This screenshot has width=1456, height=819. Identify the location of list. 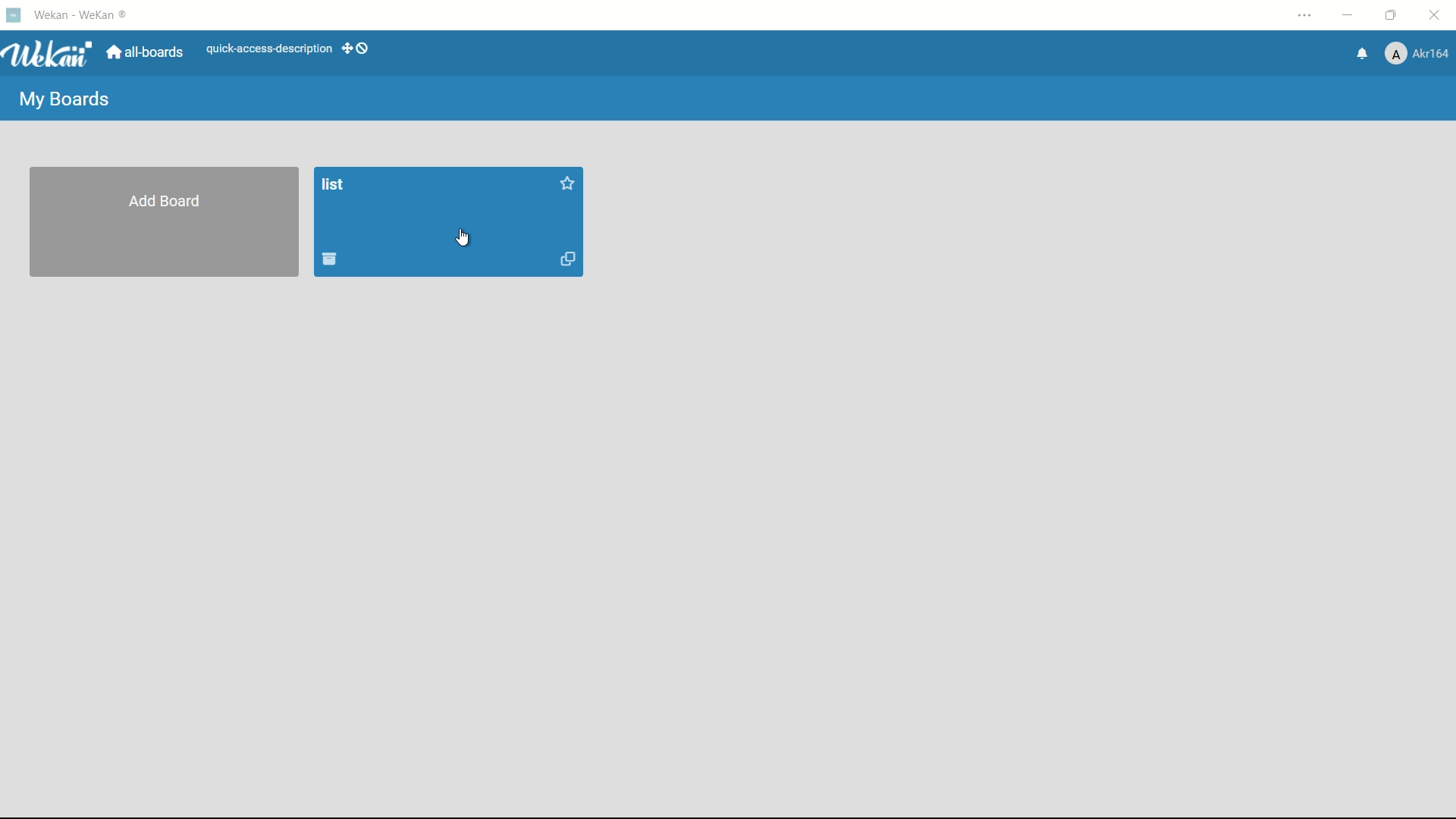
(334, 186).